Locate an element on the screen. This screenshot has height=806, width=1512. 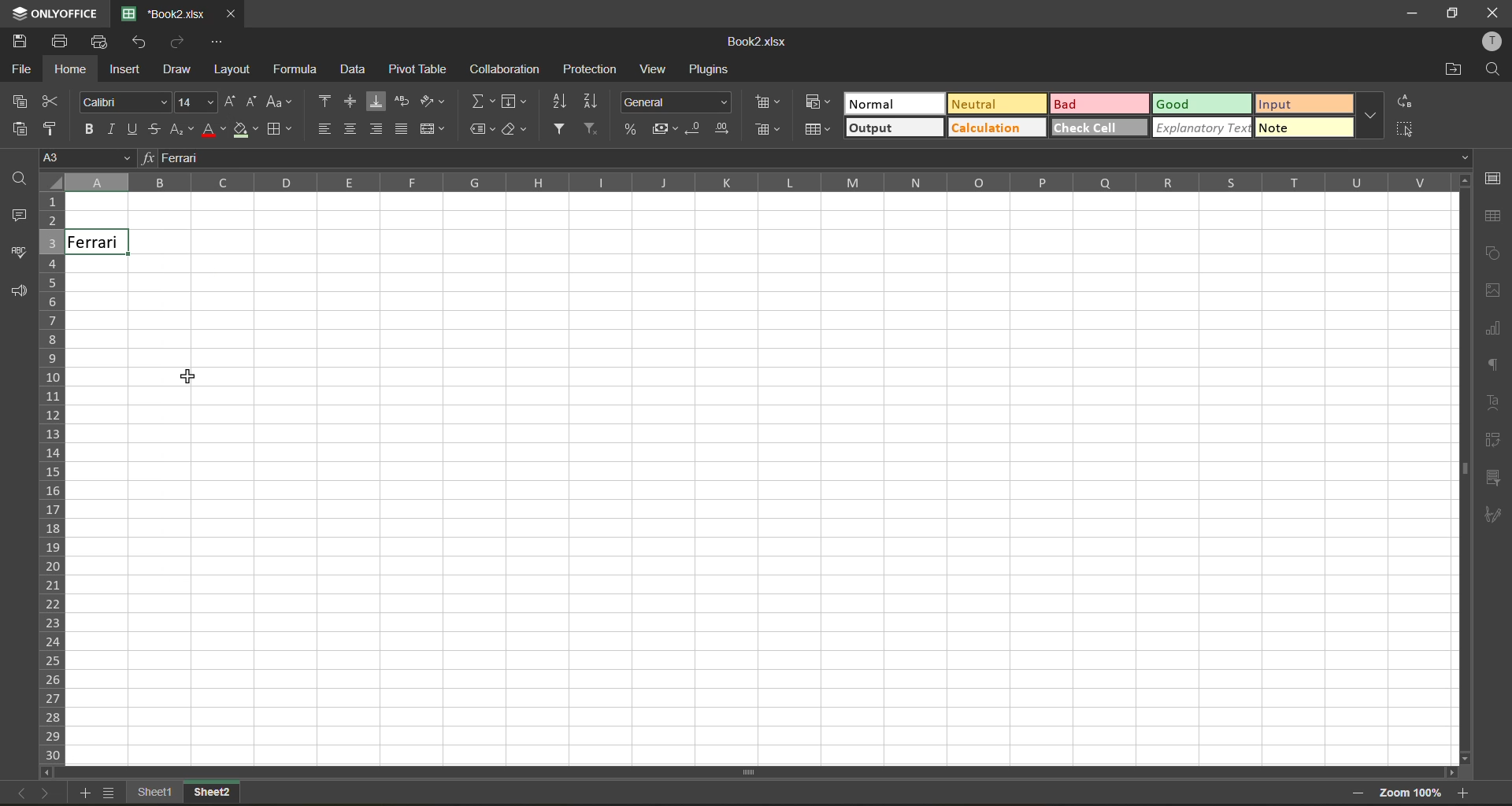
bad is located at coordinates (1101, 104).